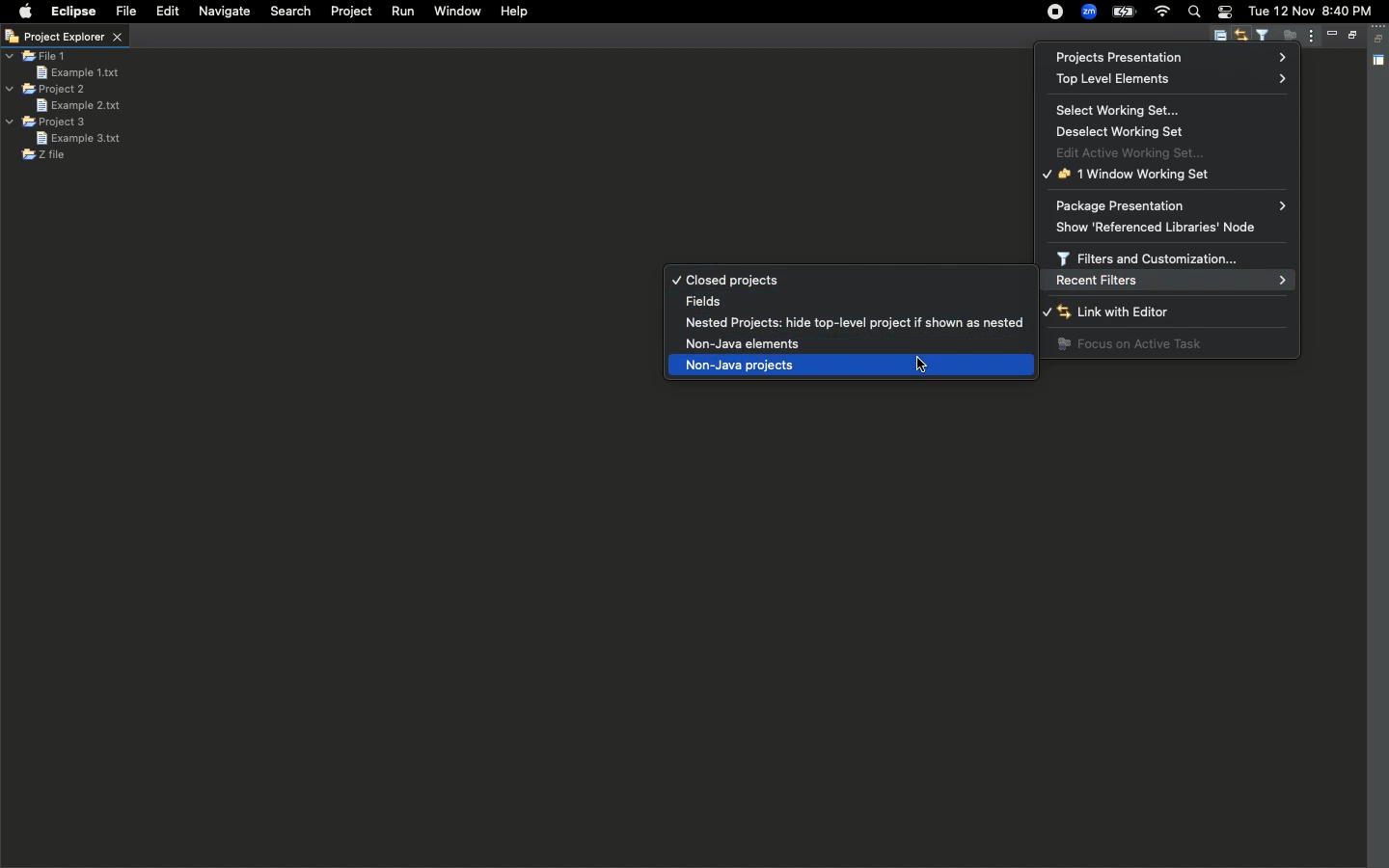 This screenshot has height=868, width=1389. What do you see at coordinates (1130, 344) in the screenshot?
I see `Focus on active task` at bounding box center [1130, 344].